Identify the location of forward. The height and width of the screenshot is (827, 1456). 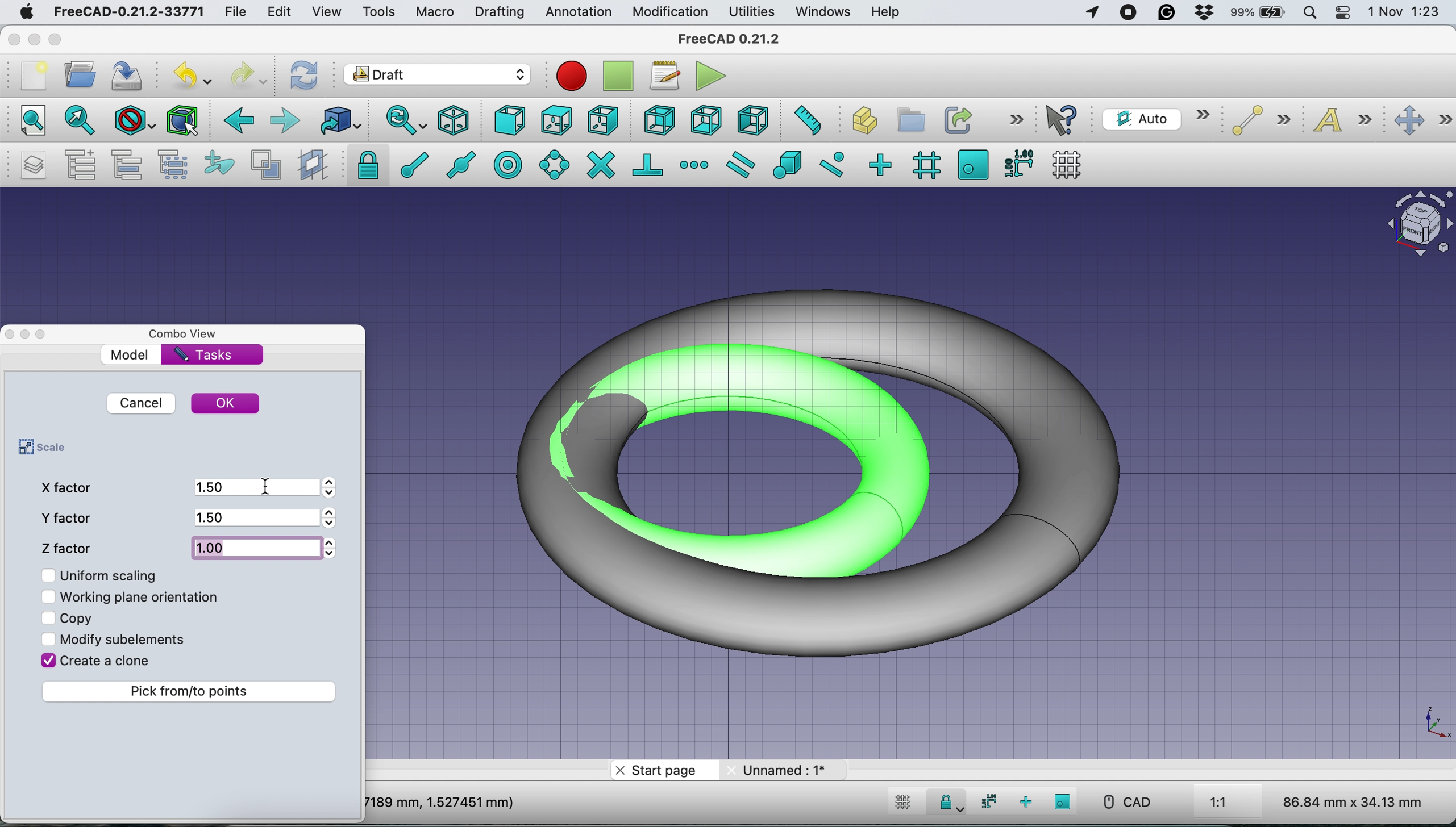
(286, 122).